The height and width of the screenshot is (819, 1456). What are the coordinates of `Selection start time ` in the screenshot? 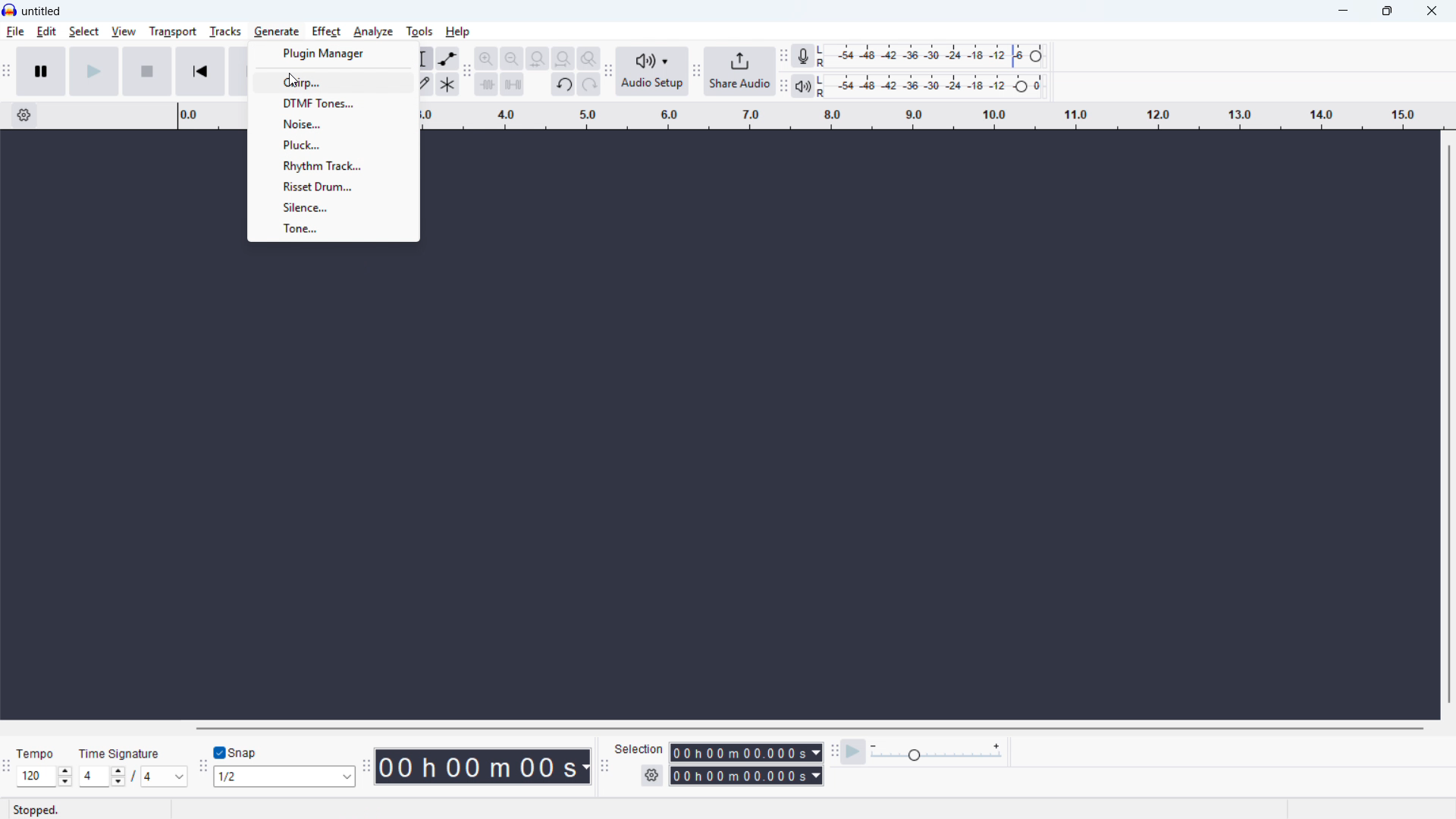 It's located at (747, 752).